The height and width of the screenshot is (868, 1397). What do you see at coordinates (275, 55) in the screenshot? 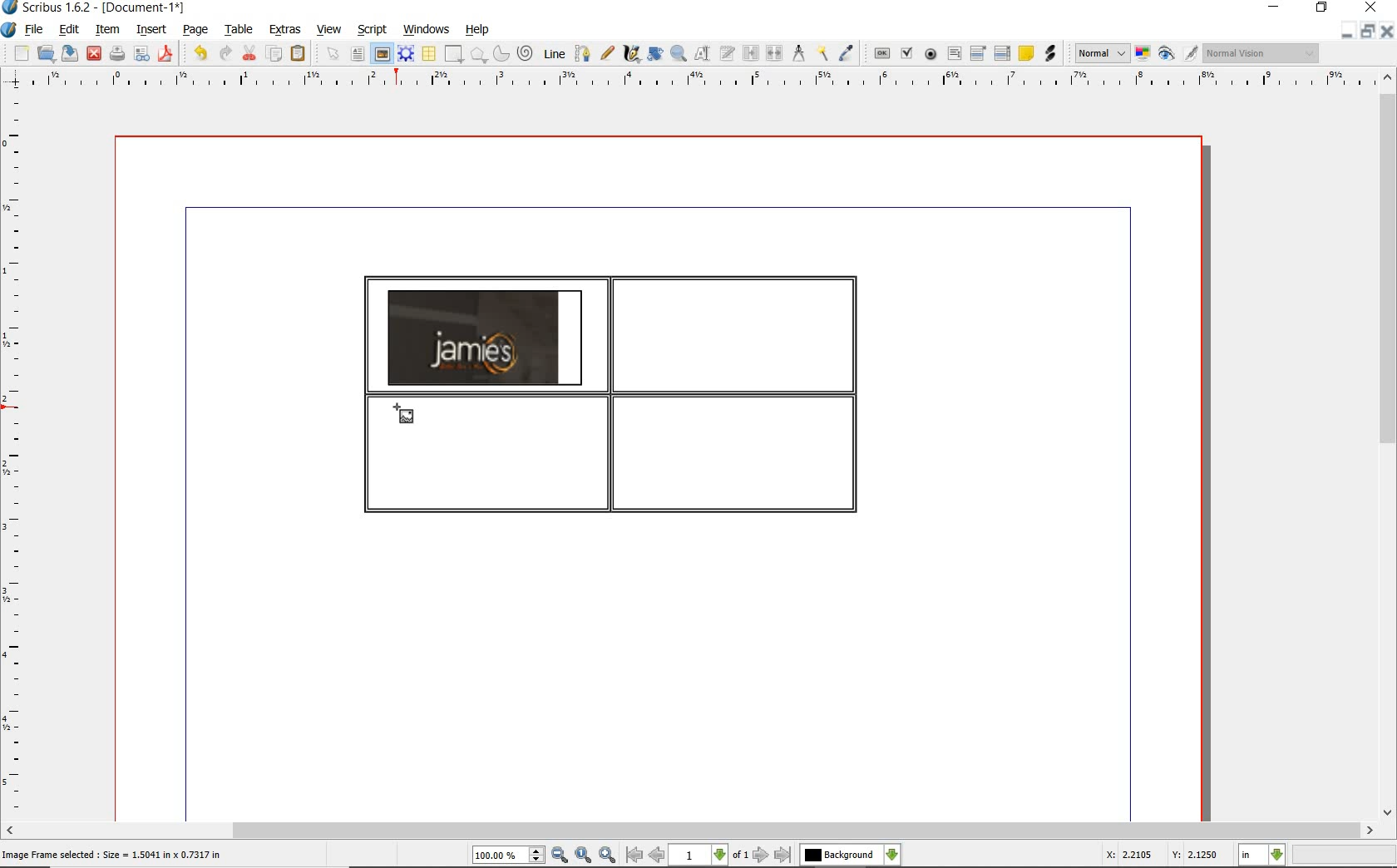
I see `copy` at bounding box center [275, 55].